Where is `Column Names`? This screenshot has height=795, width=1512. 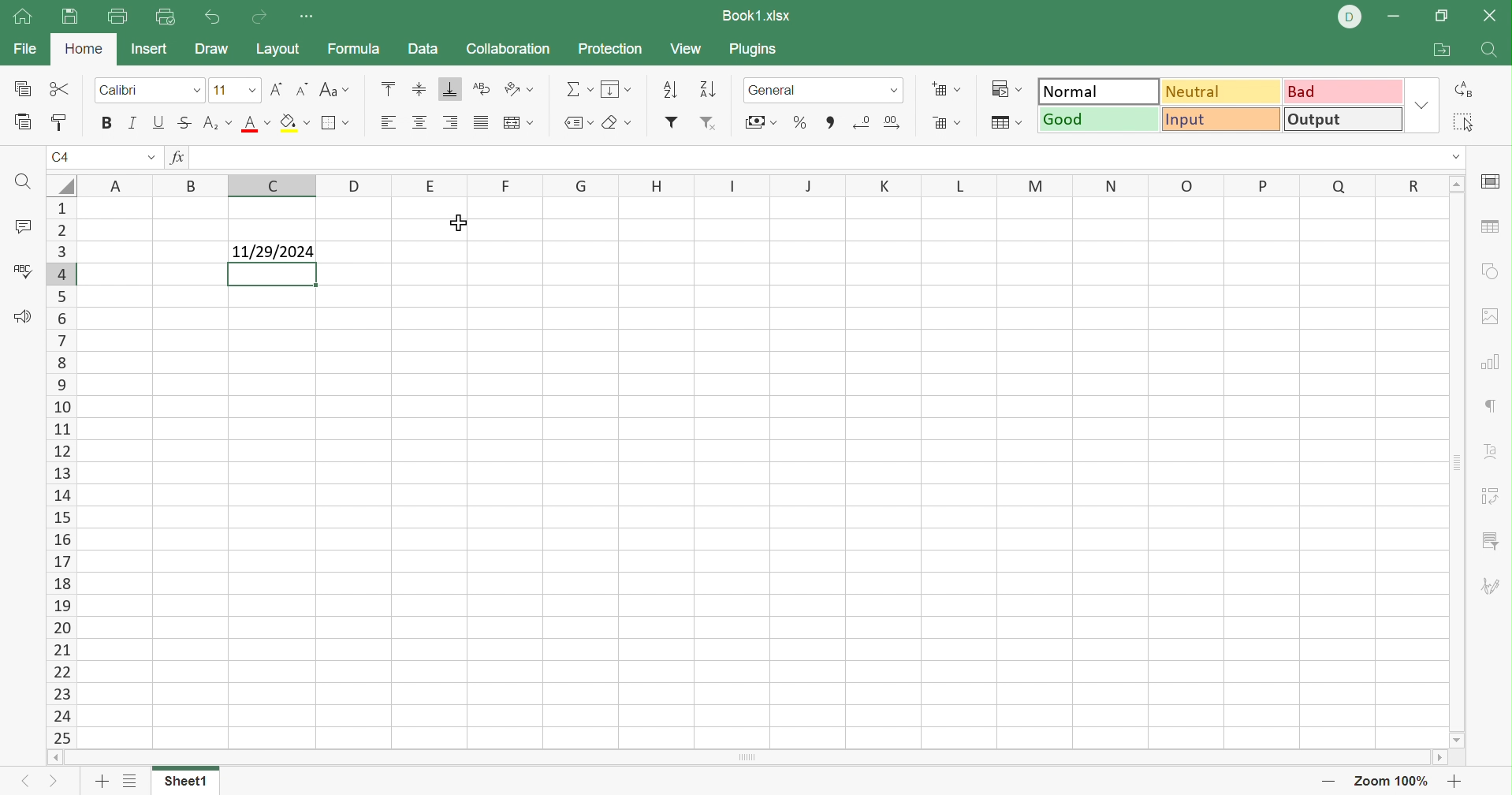
Column Names is located at coordinates (753, 188).